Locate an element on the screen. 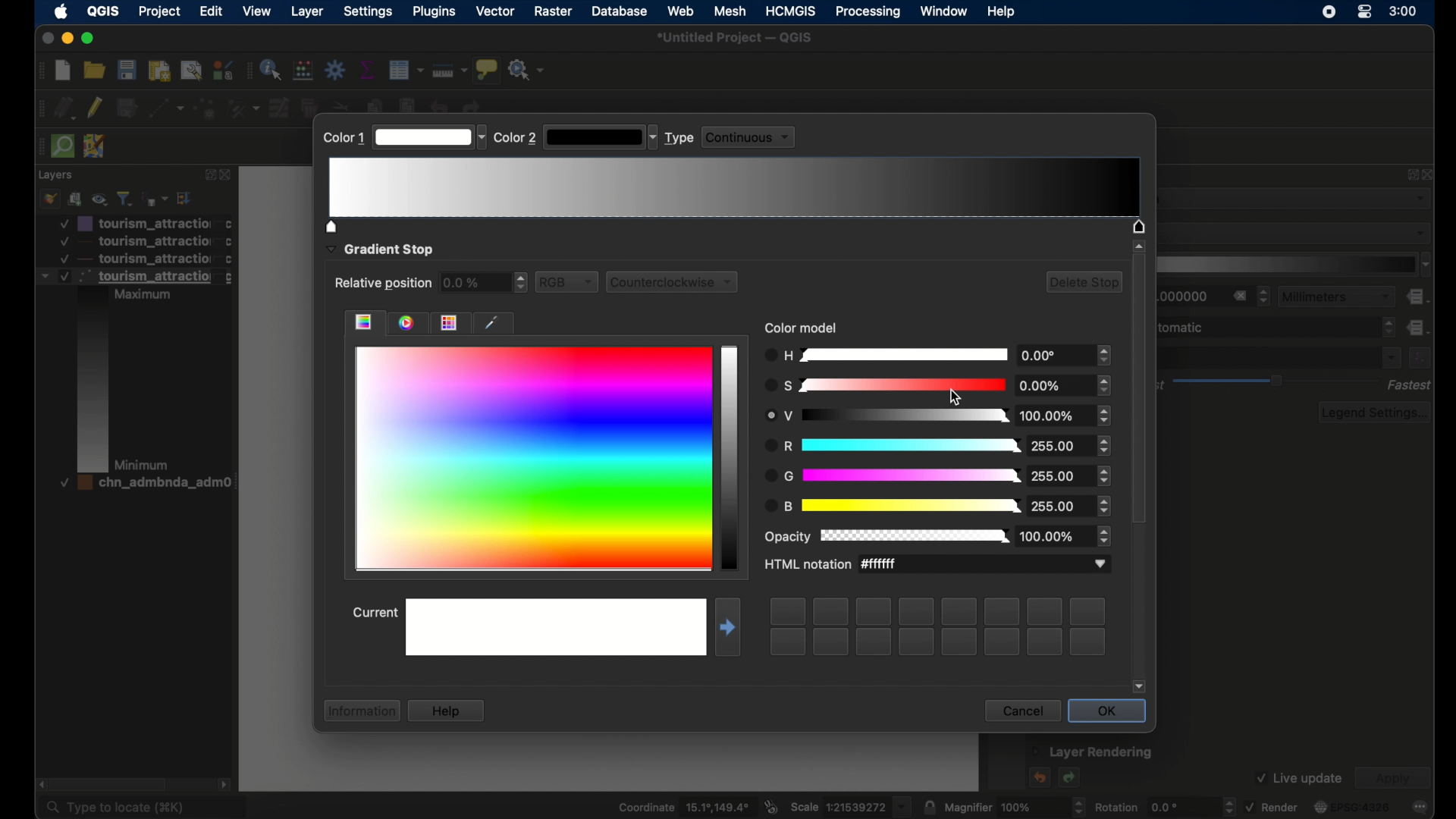 The height and width of the screenshot is (819, 1456). relative position stepper buttons is located at coordinates (485, 283).